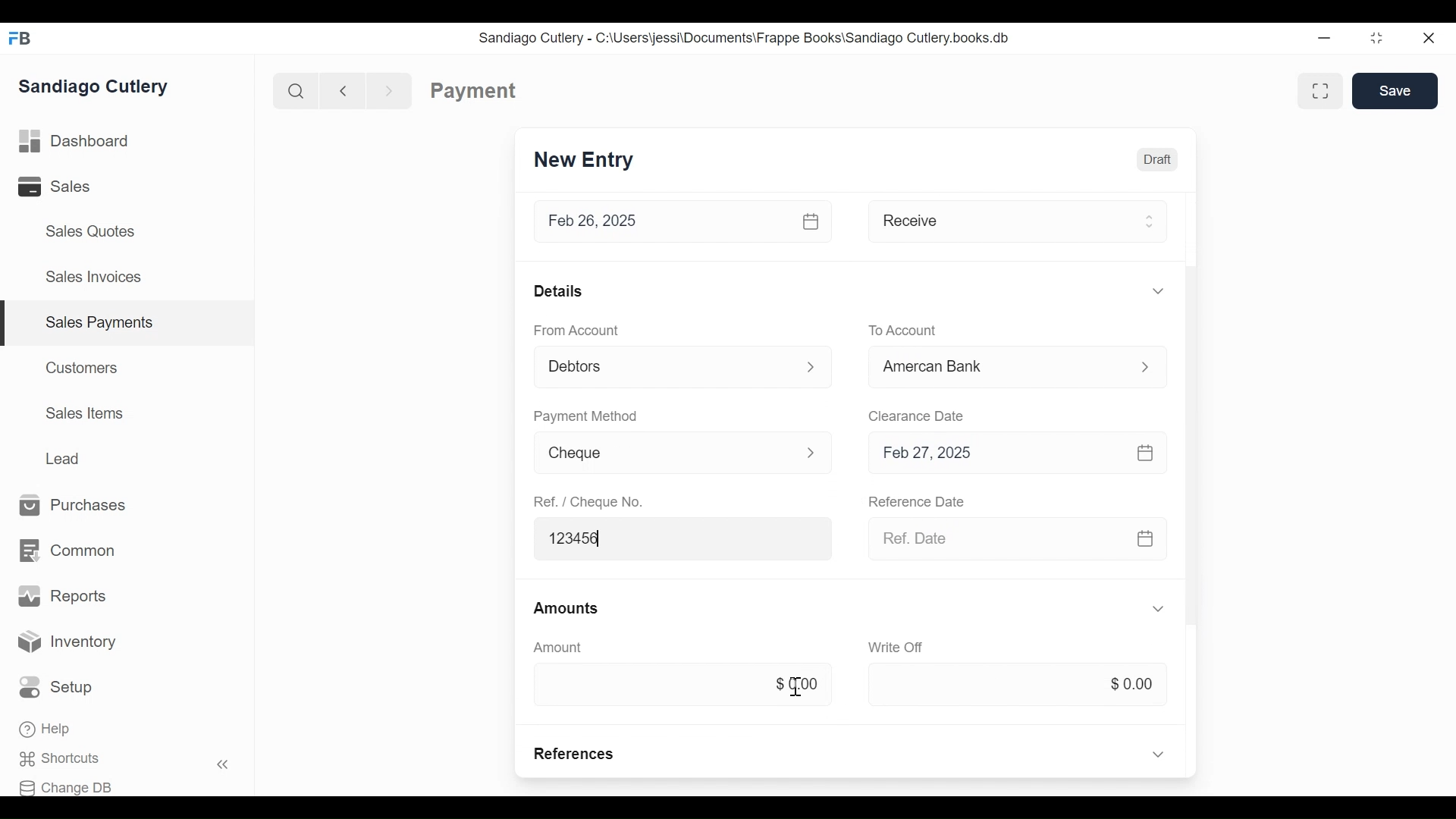 Image resolution: width=1456 pixels, height=819 pixels. I want to click on Search, so click(293, 90).